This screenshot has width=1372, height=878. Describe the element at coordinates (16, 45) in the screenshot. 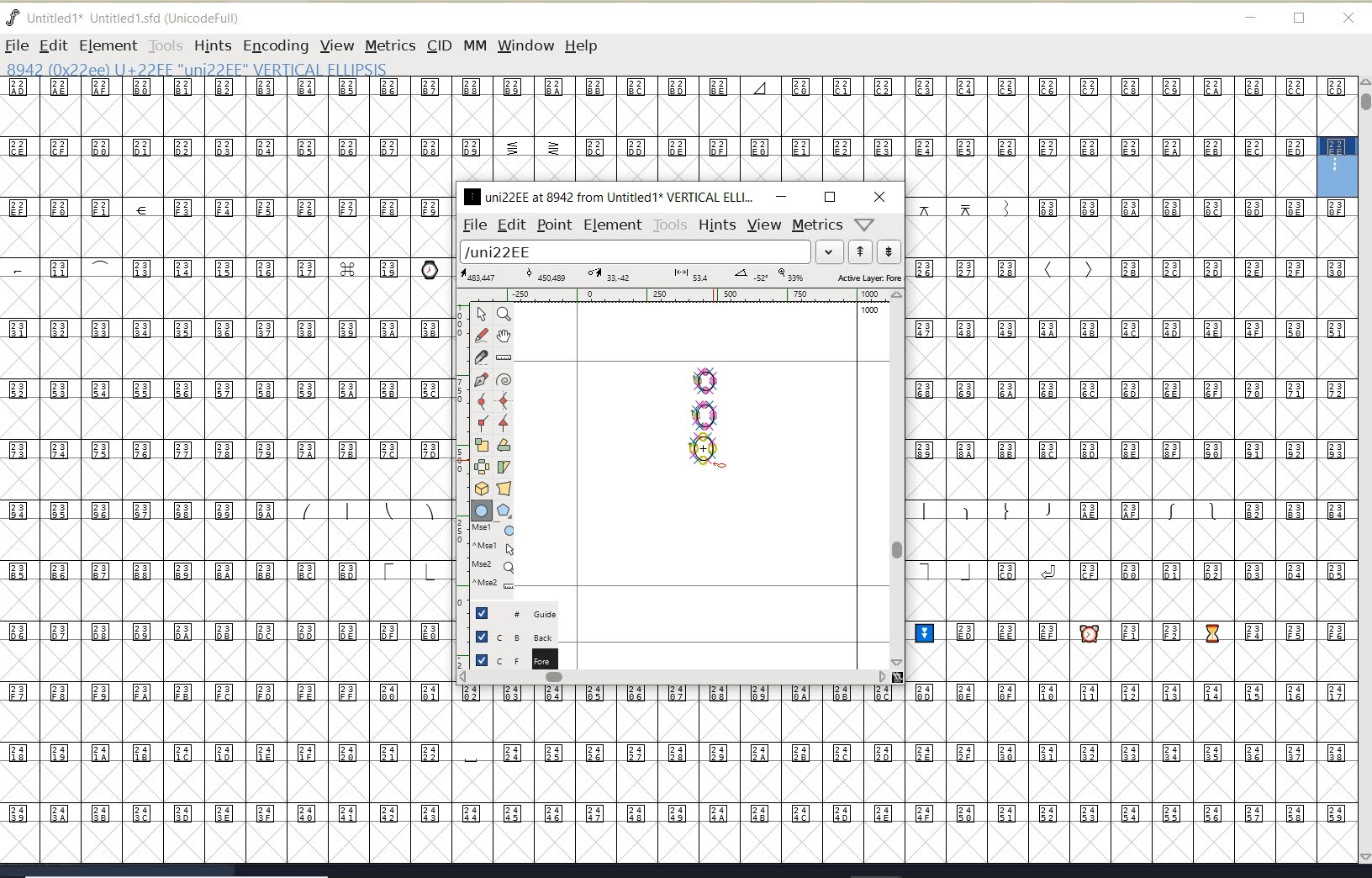

I see `FILE` at that location.